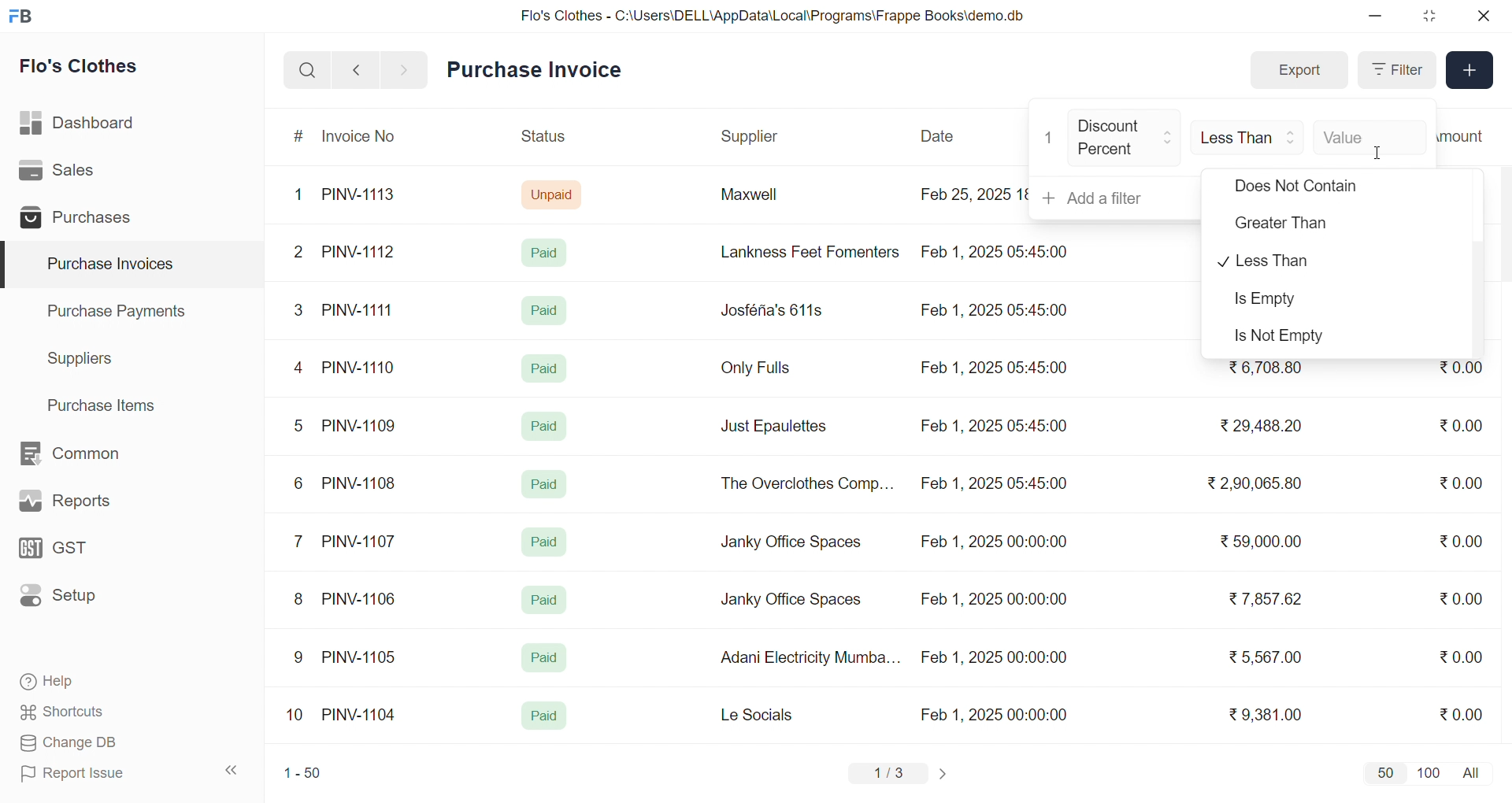 This screenshot has width=1512, height=803. What do you see at coordinates (362, 542) in the screenshot?
I see `PINV-1107` at bounding box center [362, 542].